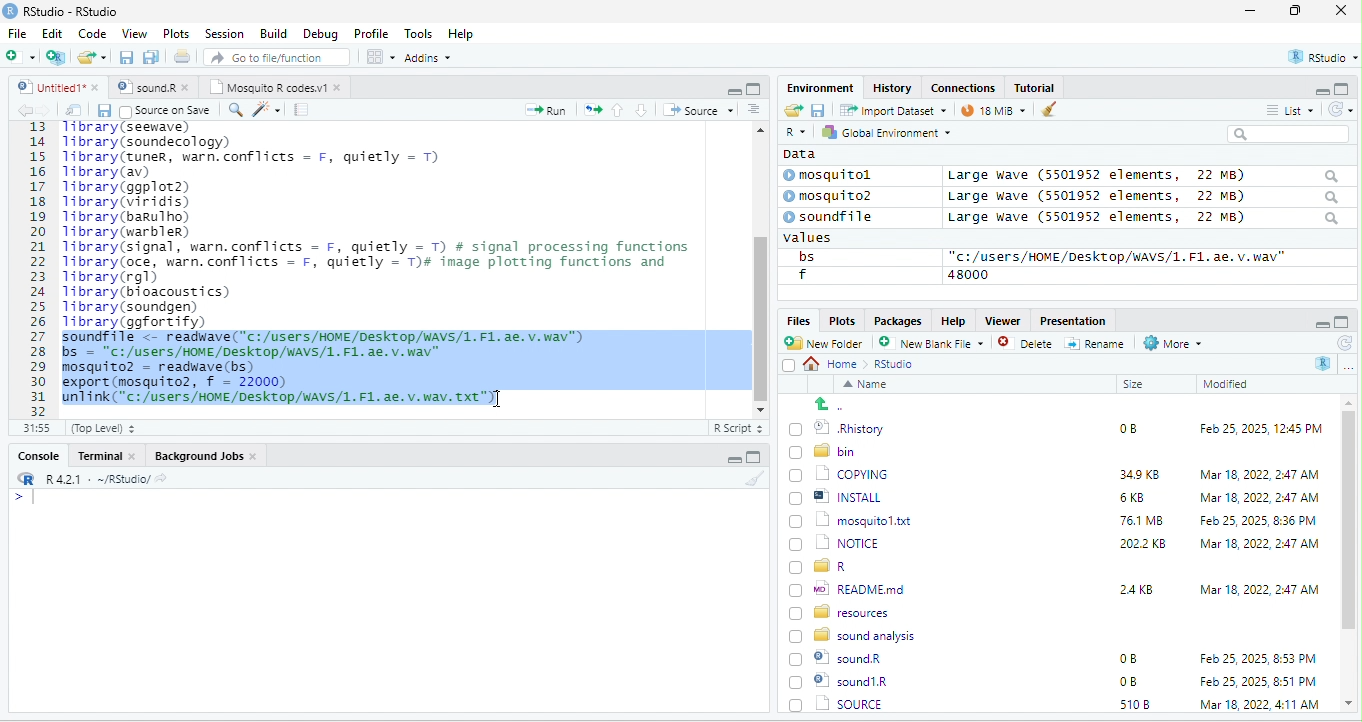  What do you see at coordinates (54, 33) in the screenshot?
I see `Edit` at bounding box center [54, 33].